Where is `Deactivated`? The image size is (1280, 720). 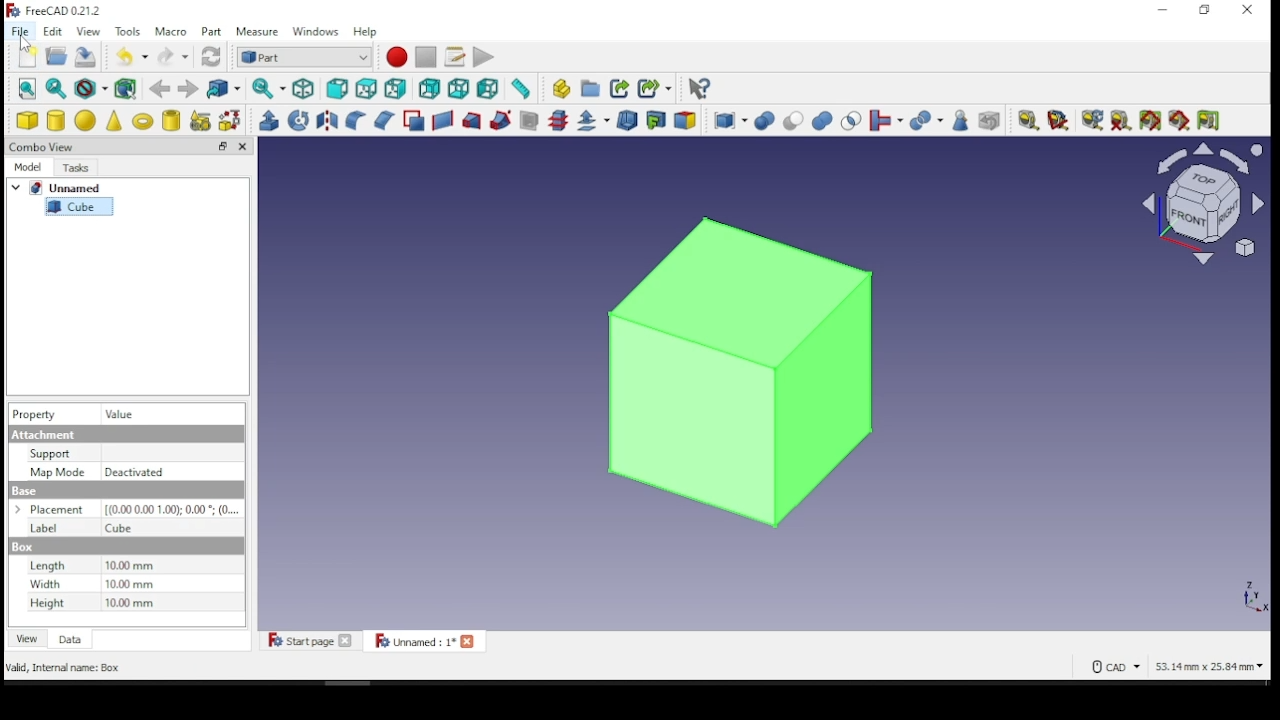
Deactivated is located at coordinates (138, 472).